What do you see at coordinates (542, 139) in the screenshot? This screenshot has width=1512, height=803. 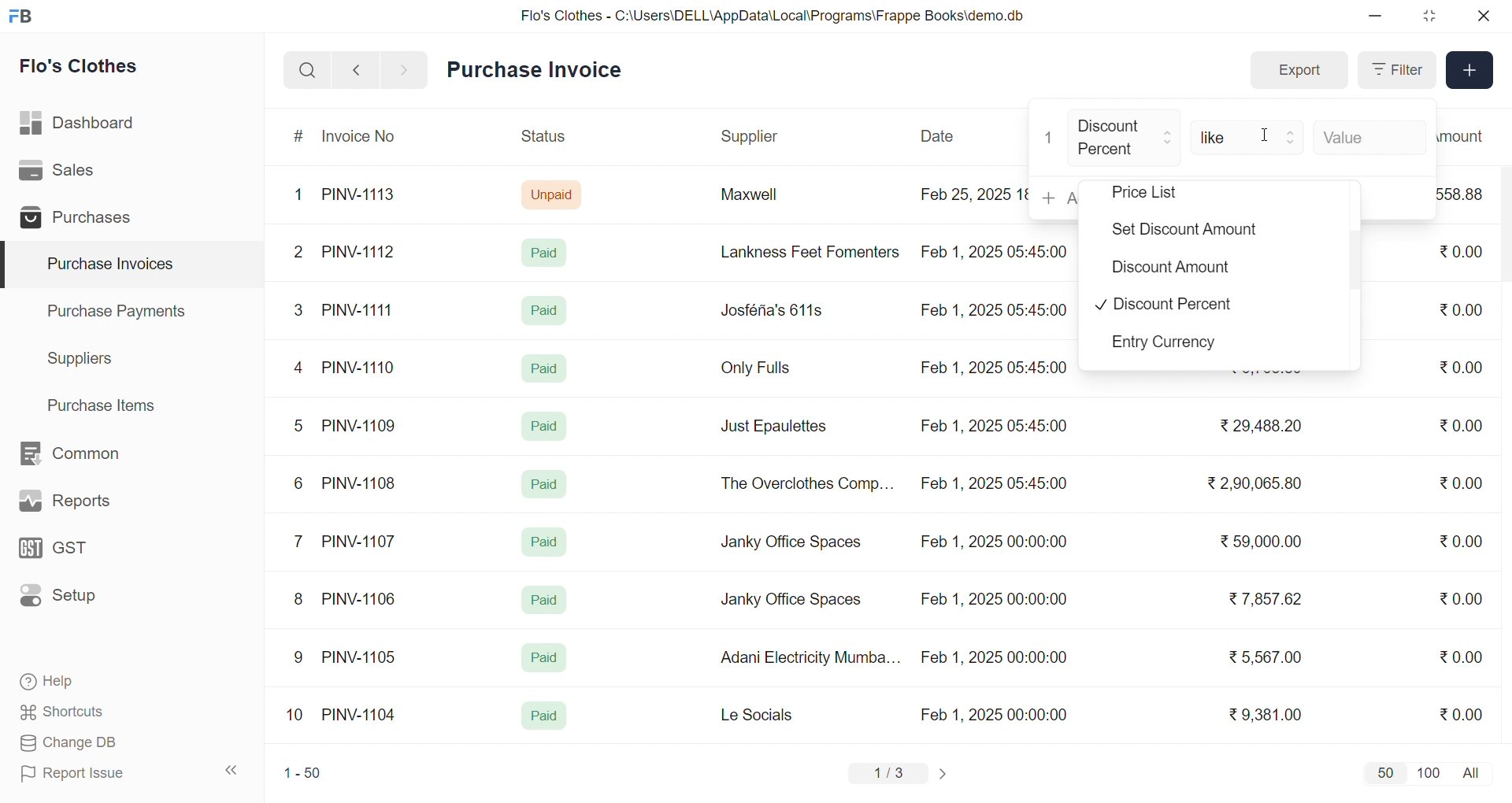 I see `Status` at bounding box center [542, 139].